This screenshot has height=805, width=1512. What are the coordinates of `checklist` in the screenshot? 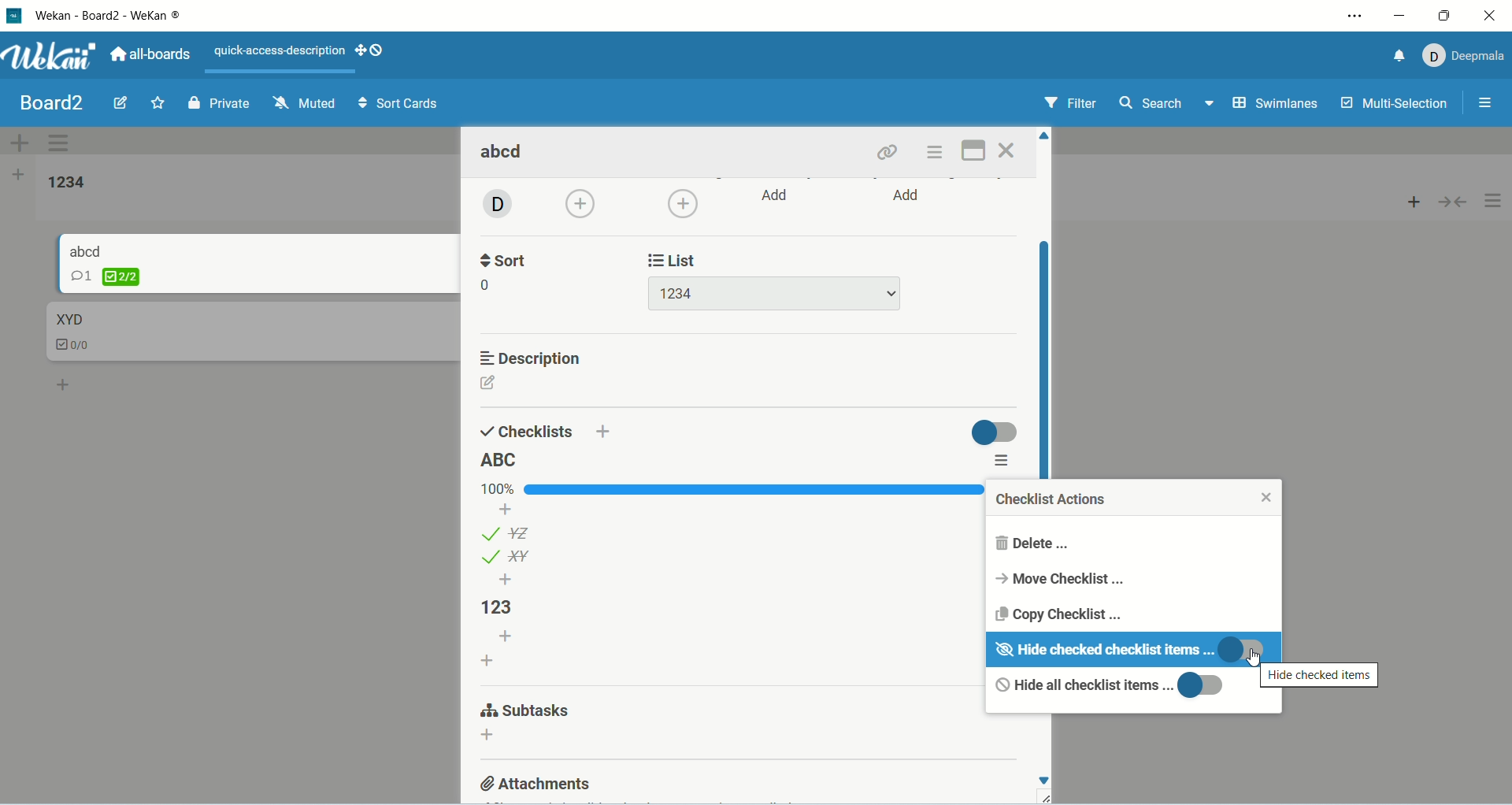 It's located at (105, 276).